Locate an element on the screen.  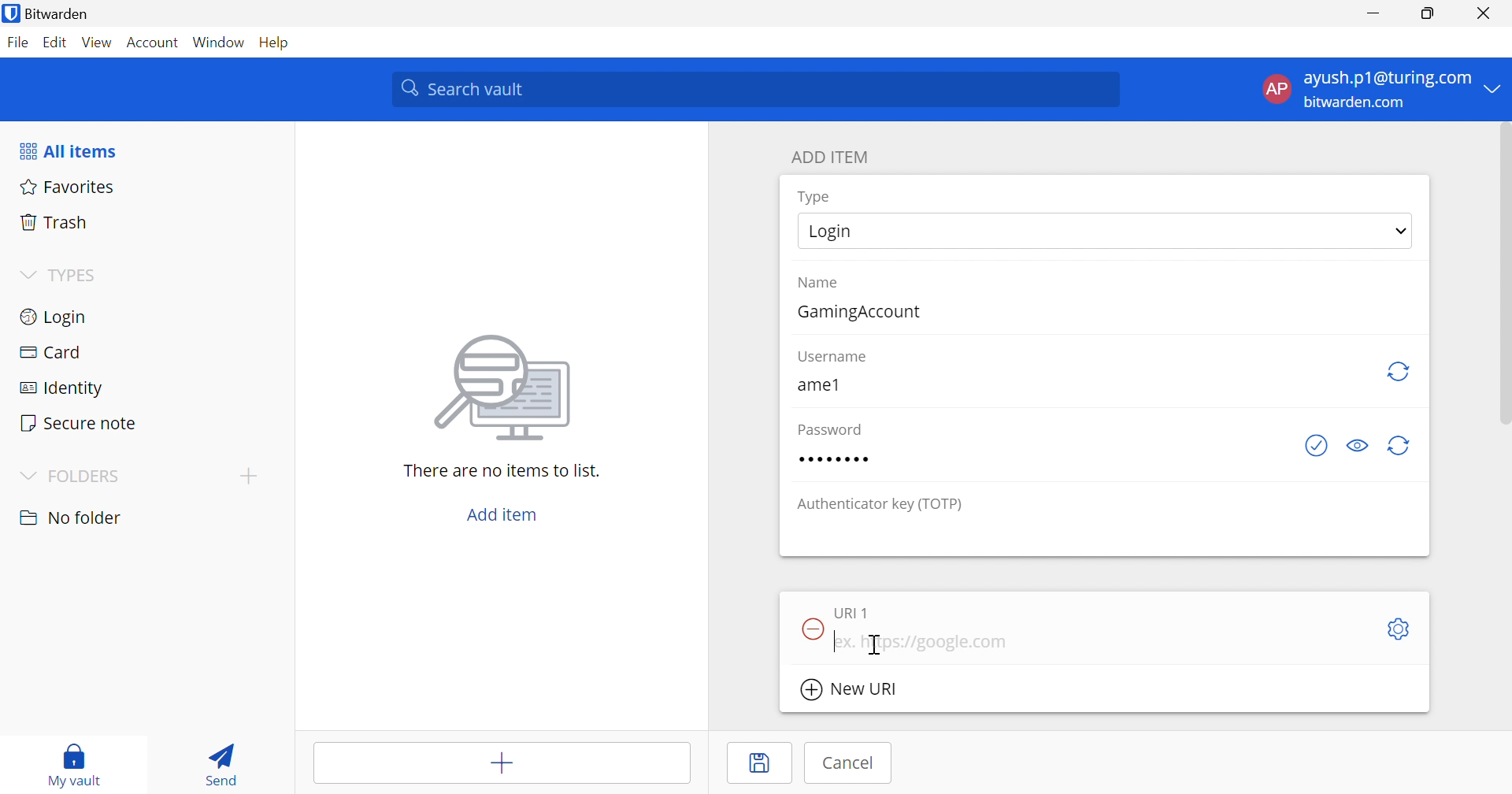
Type is located at coordinates (819, 196).